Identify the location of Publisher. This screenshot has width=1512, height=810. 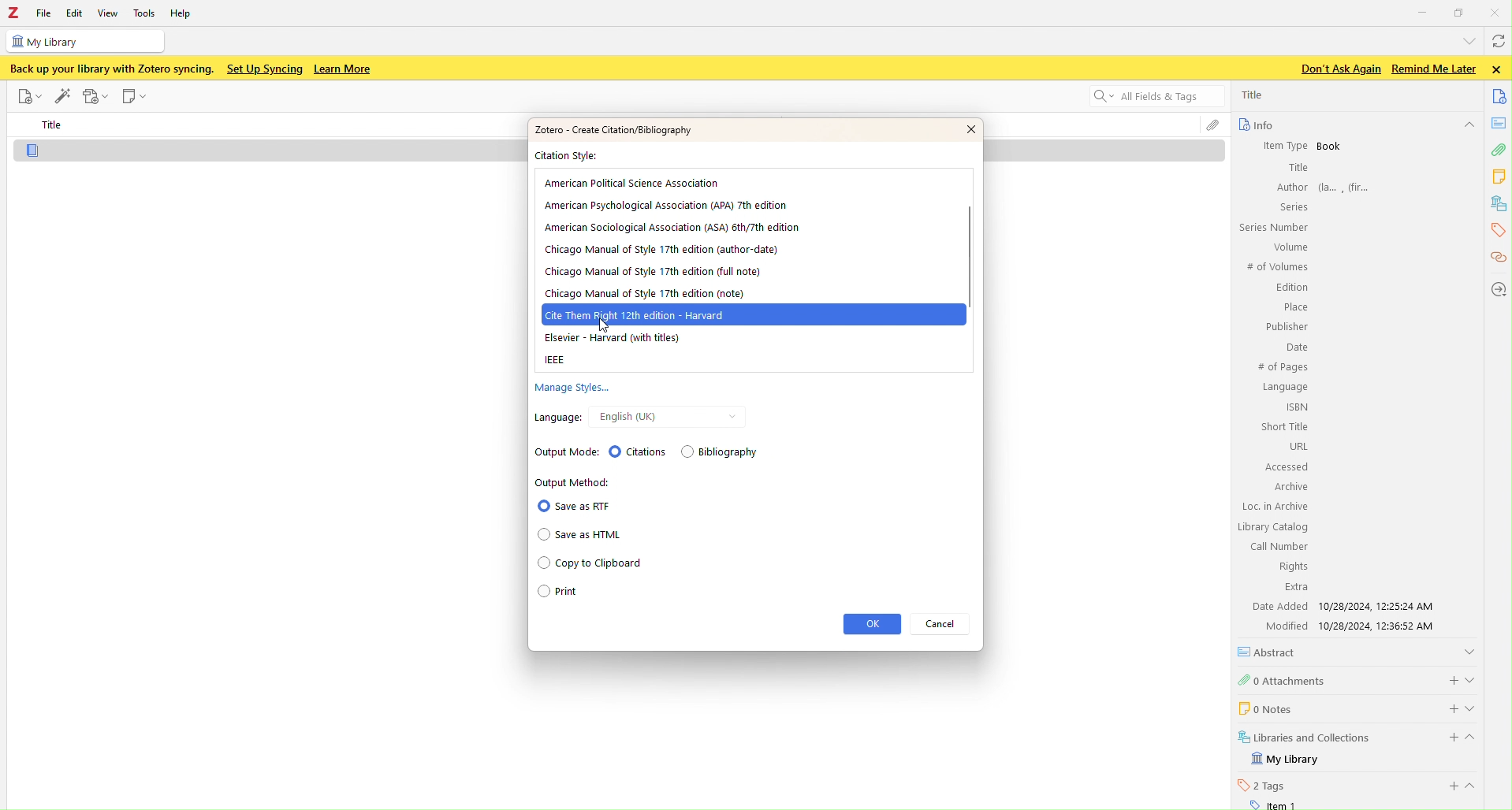
(1285, 326).